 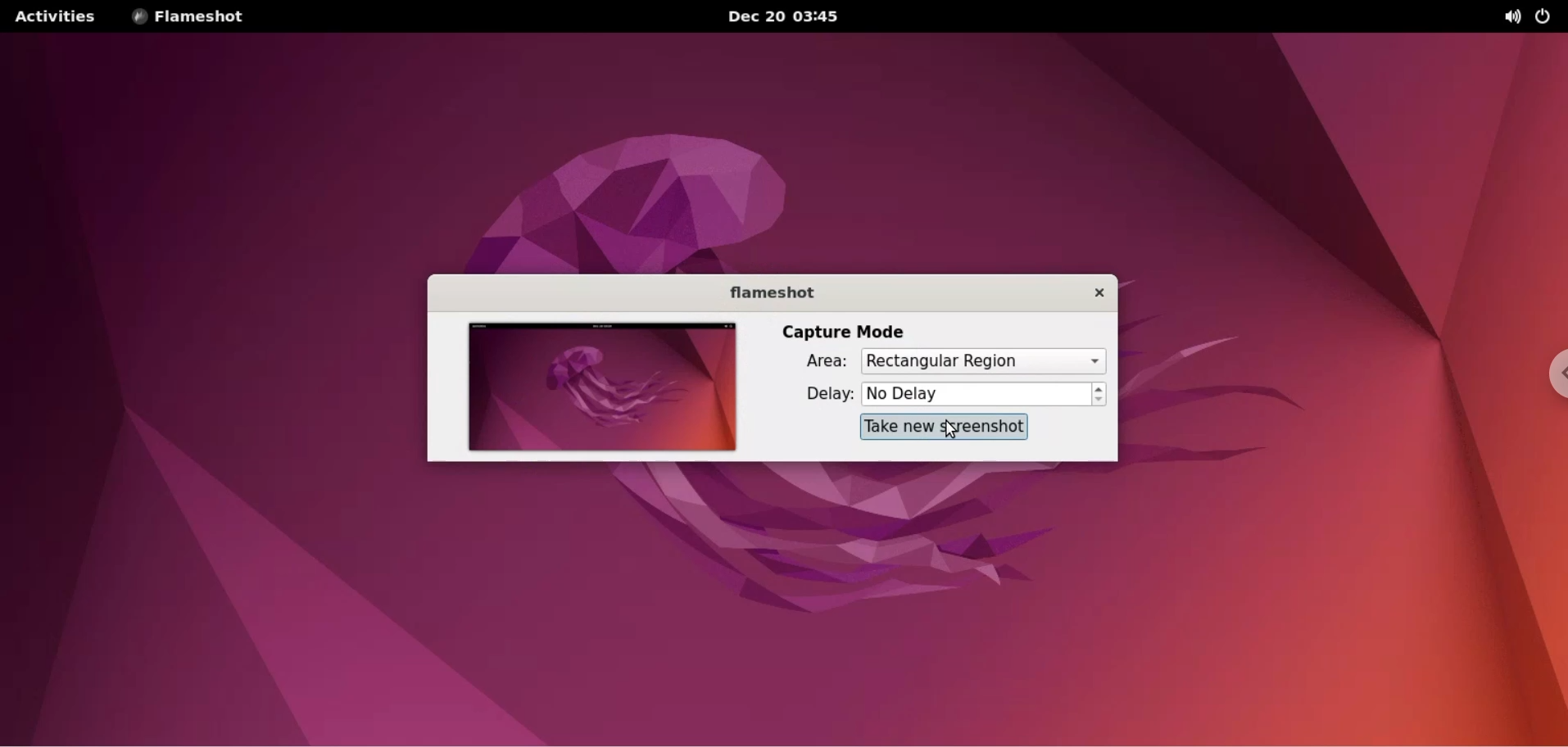 What do you see at coordinates (1545, 14) in the screenshot?
I see `power settings` at bounding box center [1545, 14].